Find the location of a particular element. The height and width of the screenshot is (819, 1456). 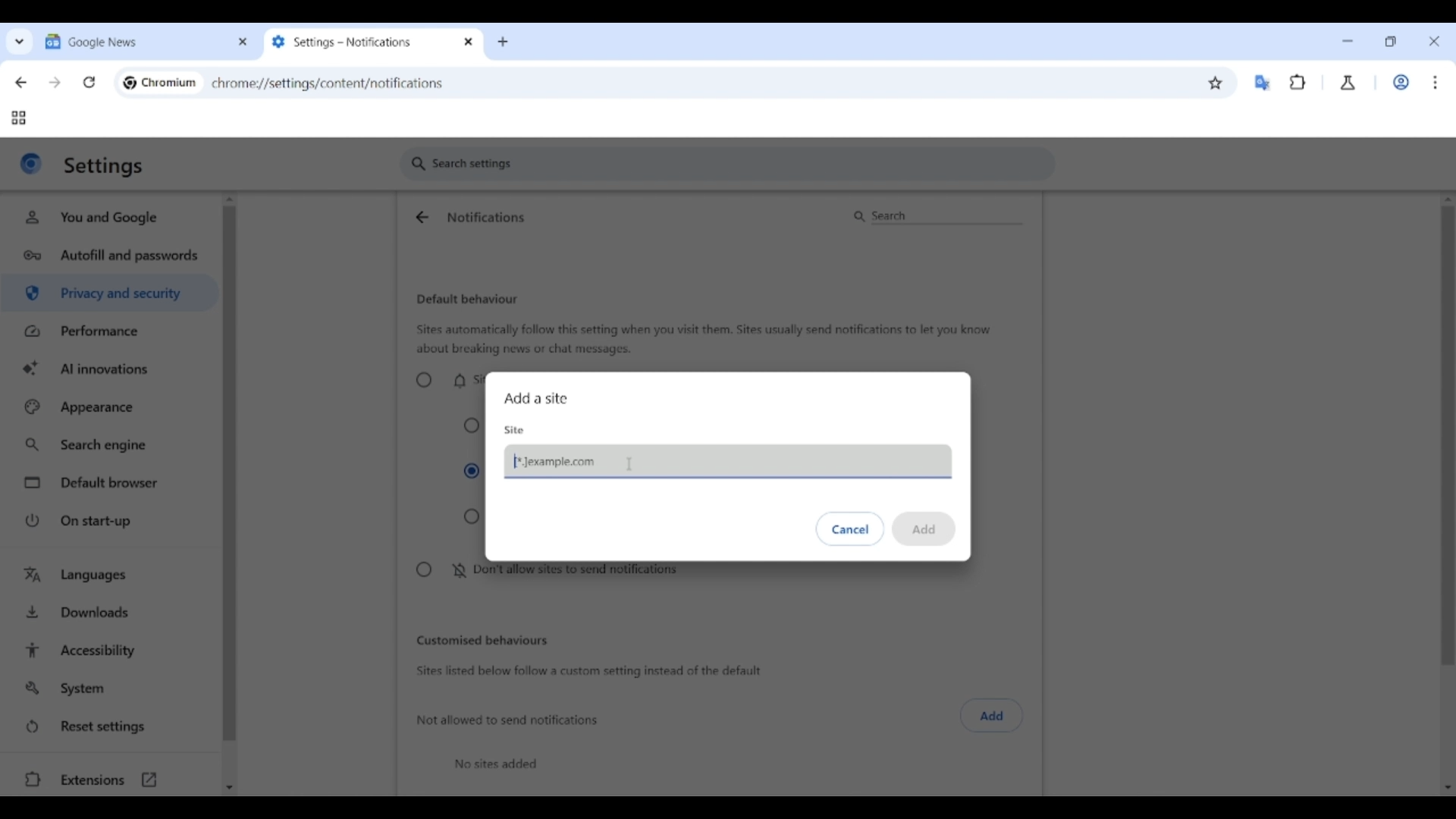

Reset settings is located at coordinates (110, 727).